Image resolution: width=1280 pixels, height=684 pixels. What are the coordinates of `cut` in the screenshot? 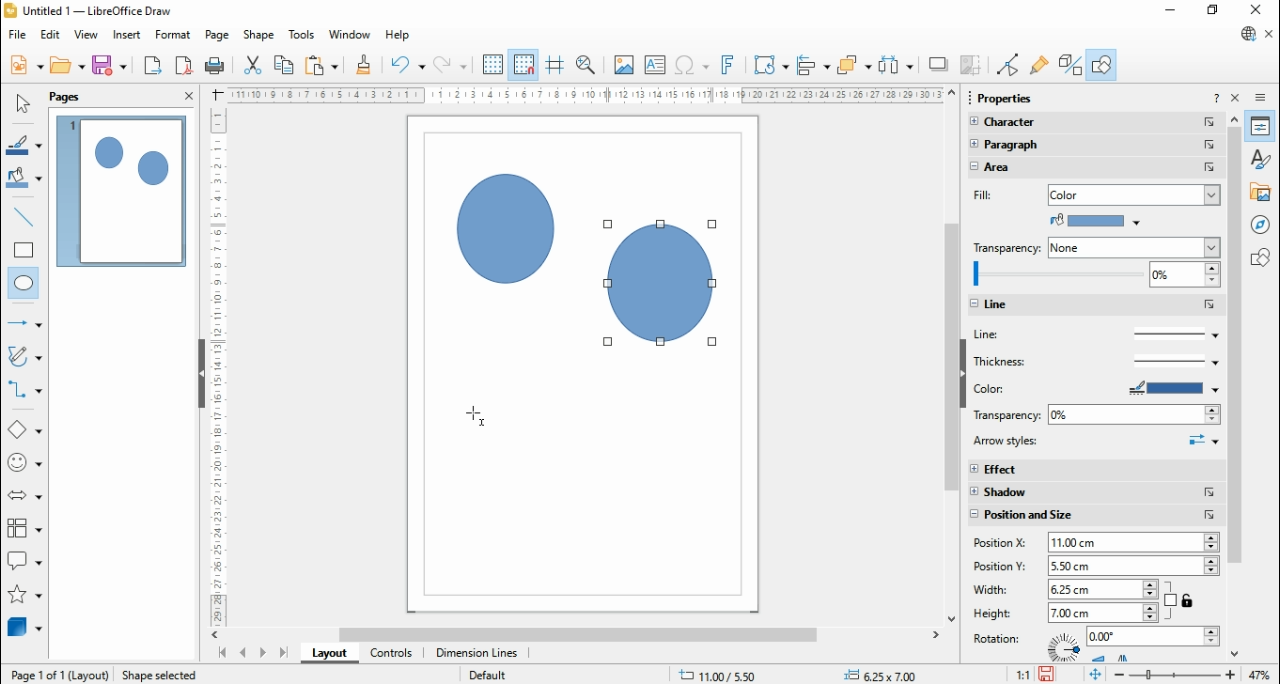 It's located at (252, 64).